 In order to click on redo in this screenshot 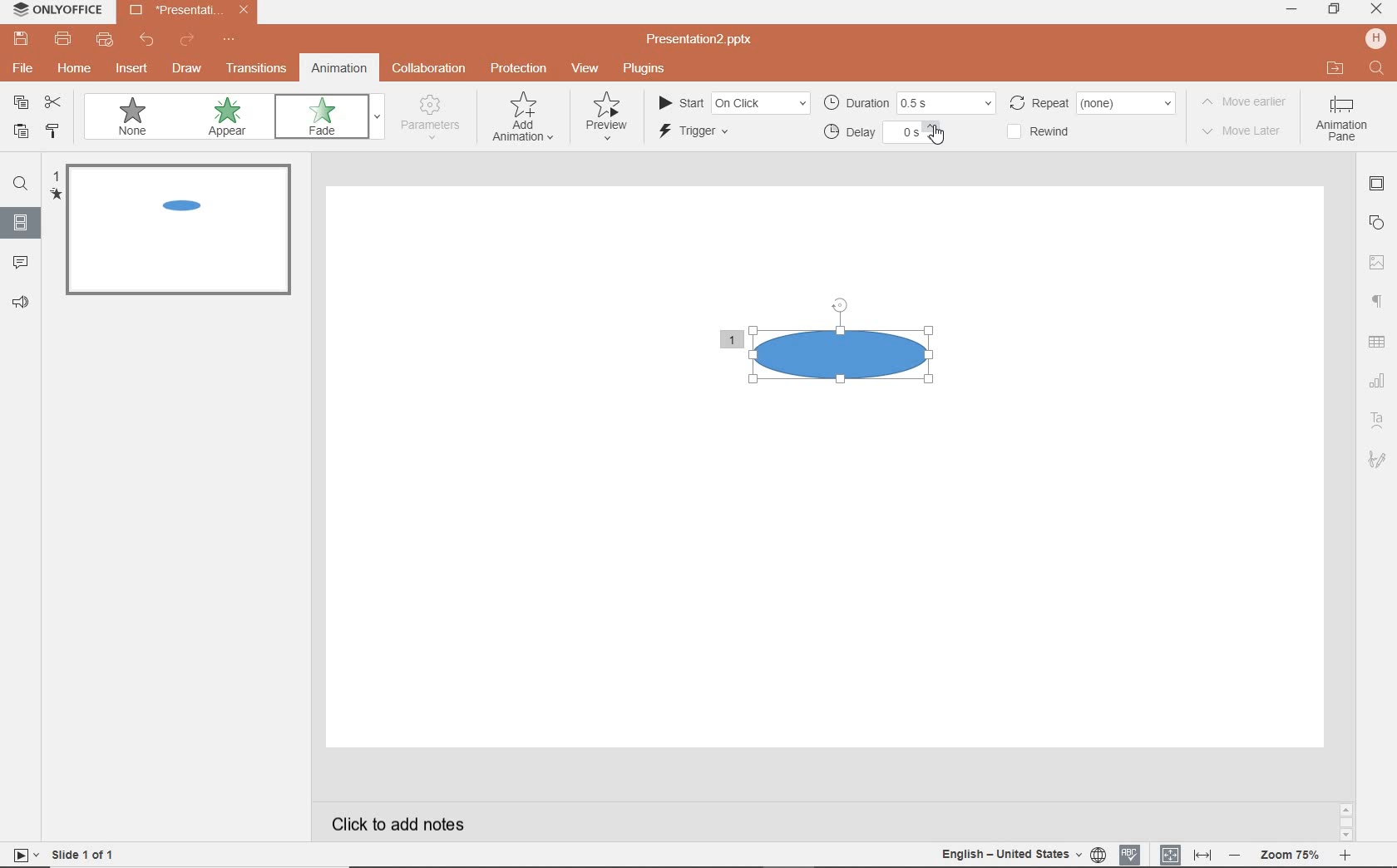, I will do `click(188, 41)`.